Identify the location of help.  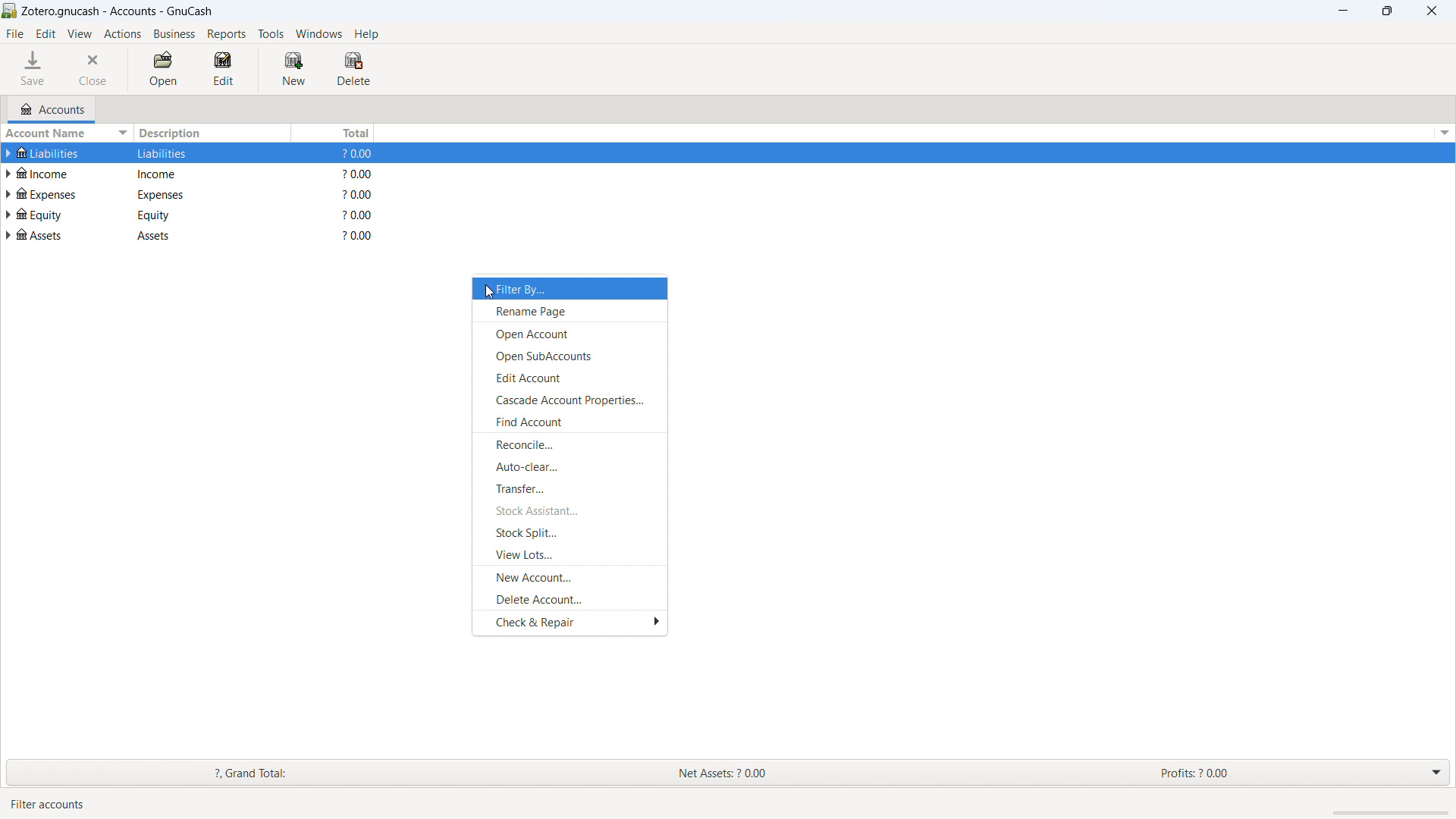
(366, 33).